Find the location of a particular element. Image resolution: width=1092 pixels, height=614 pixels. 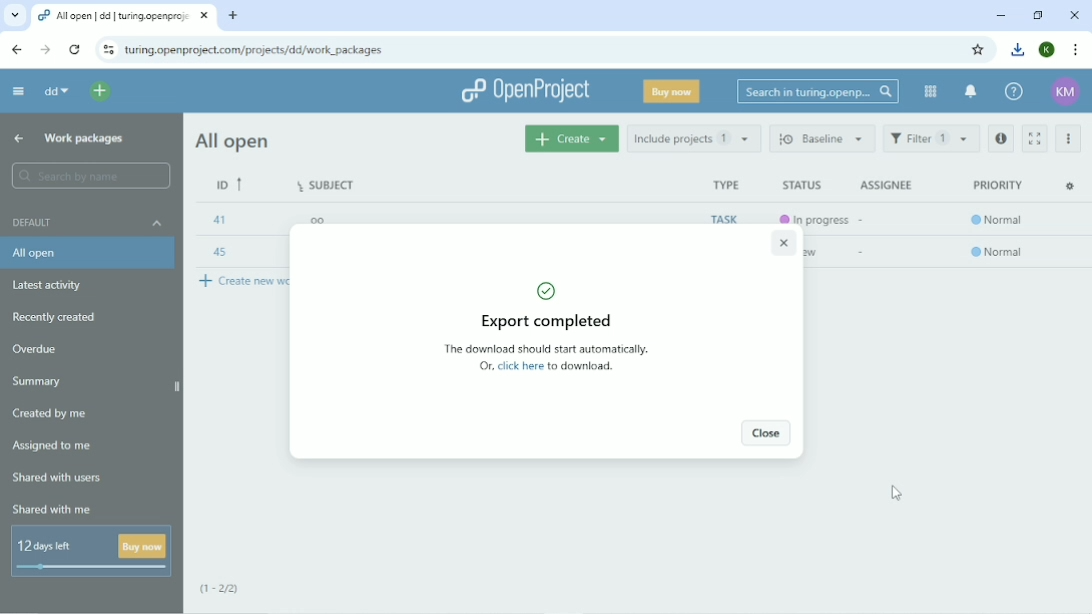

41 is located at coordinates (218, 219).